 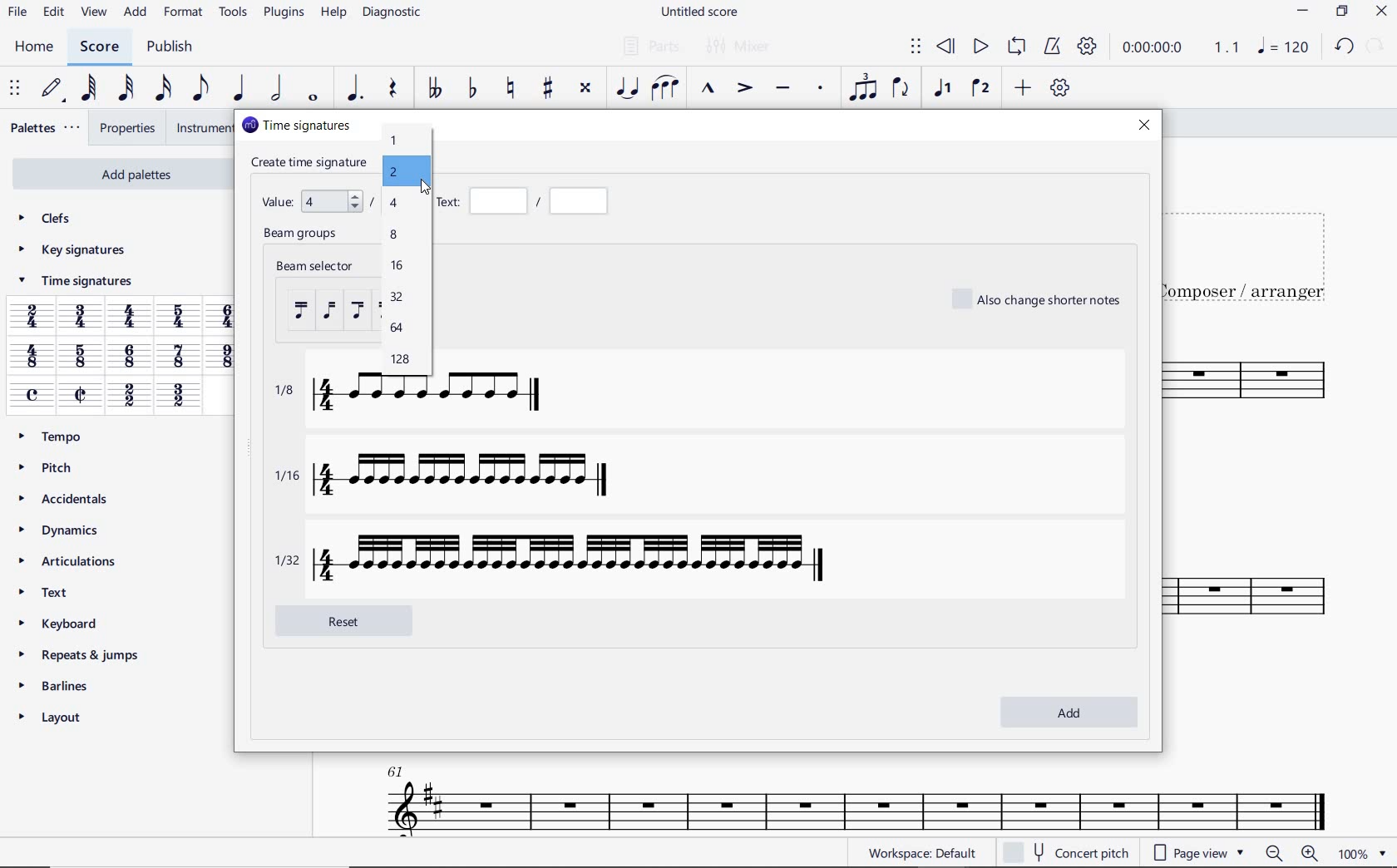 What do you see at coordinates (313, 100) in the screenshot?
I see `WHOLE NOTE` at bounding box center [313, 100].